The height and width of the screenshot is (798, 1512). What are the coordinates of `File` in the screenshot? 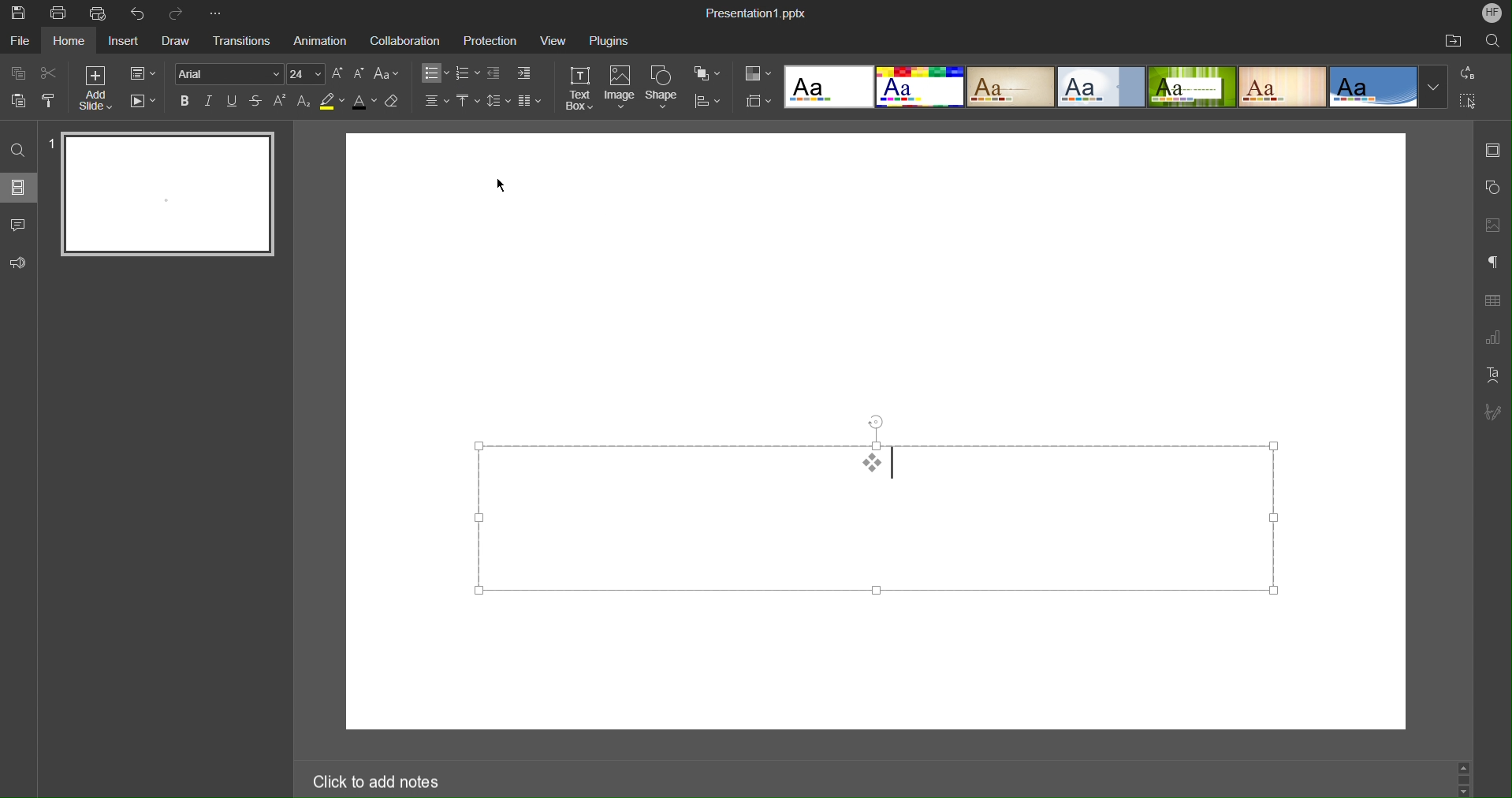 It's located at (20, 42).